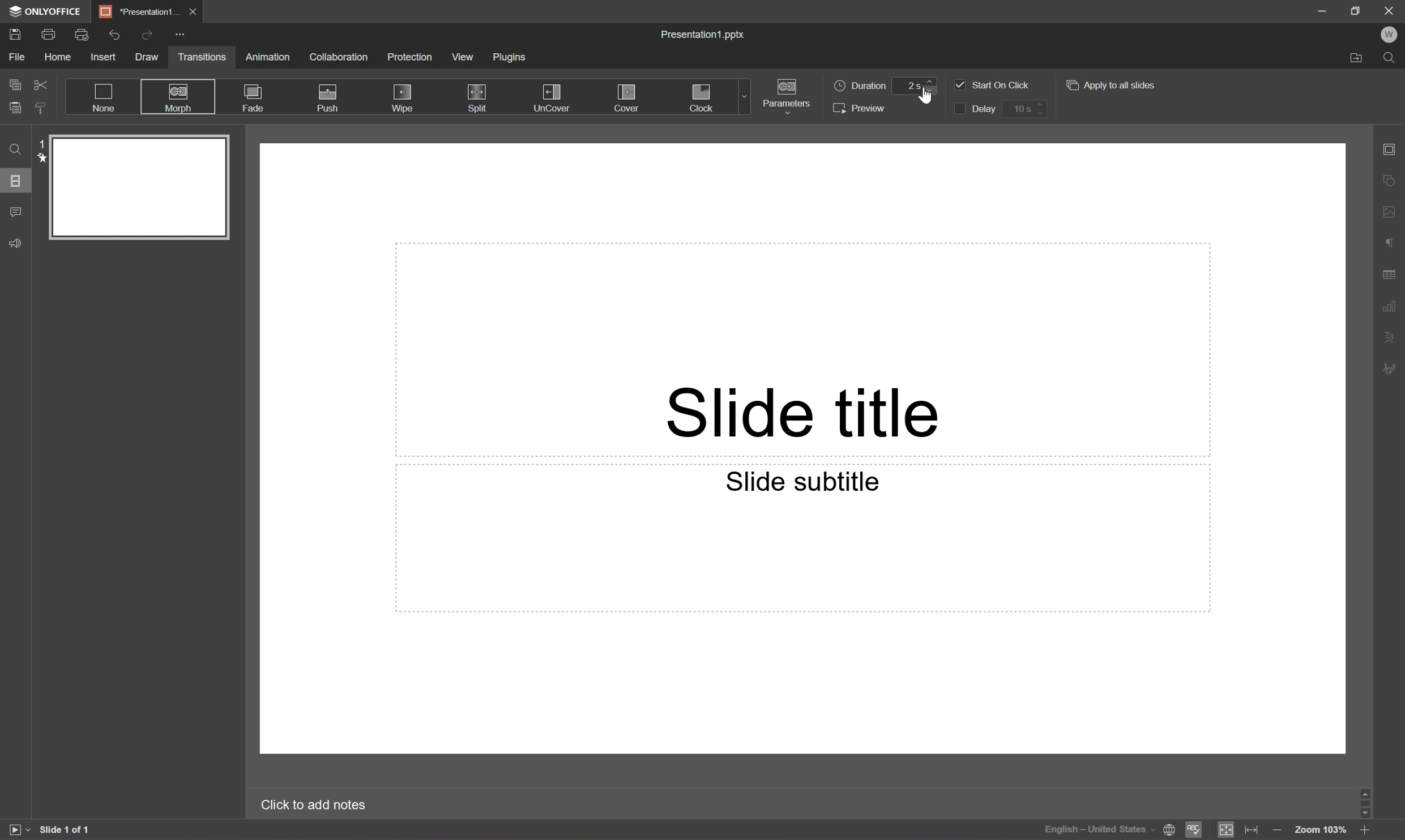 This screenshot has width=1405, height=840. I want to click on Find, so click(1393, 58).